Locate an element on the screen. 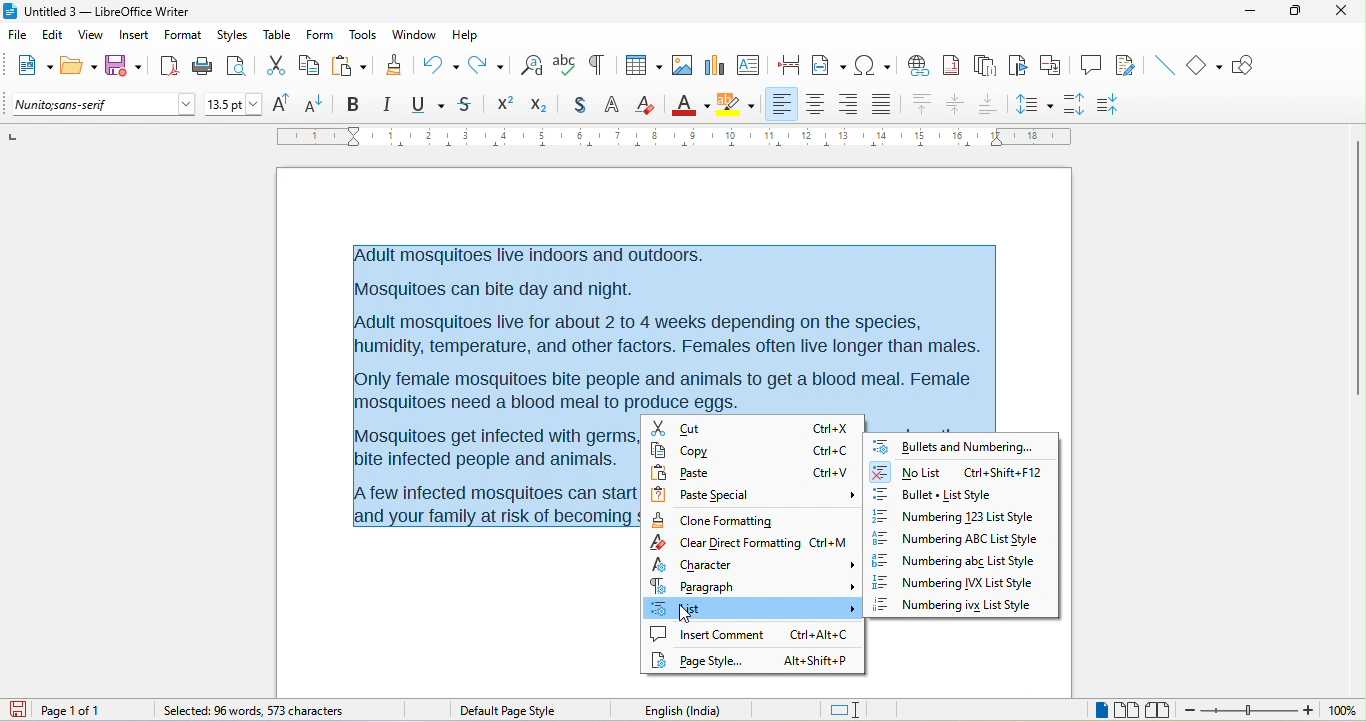  basic shape is located at coordinates (1207, 66).